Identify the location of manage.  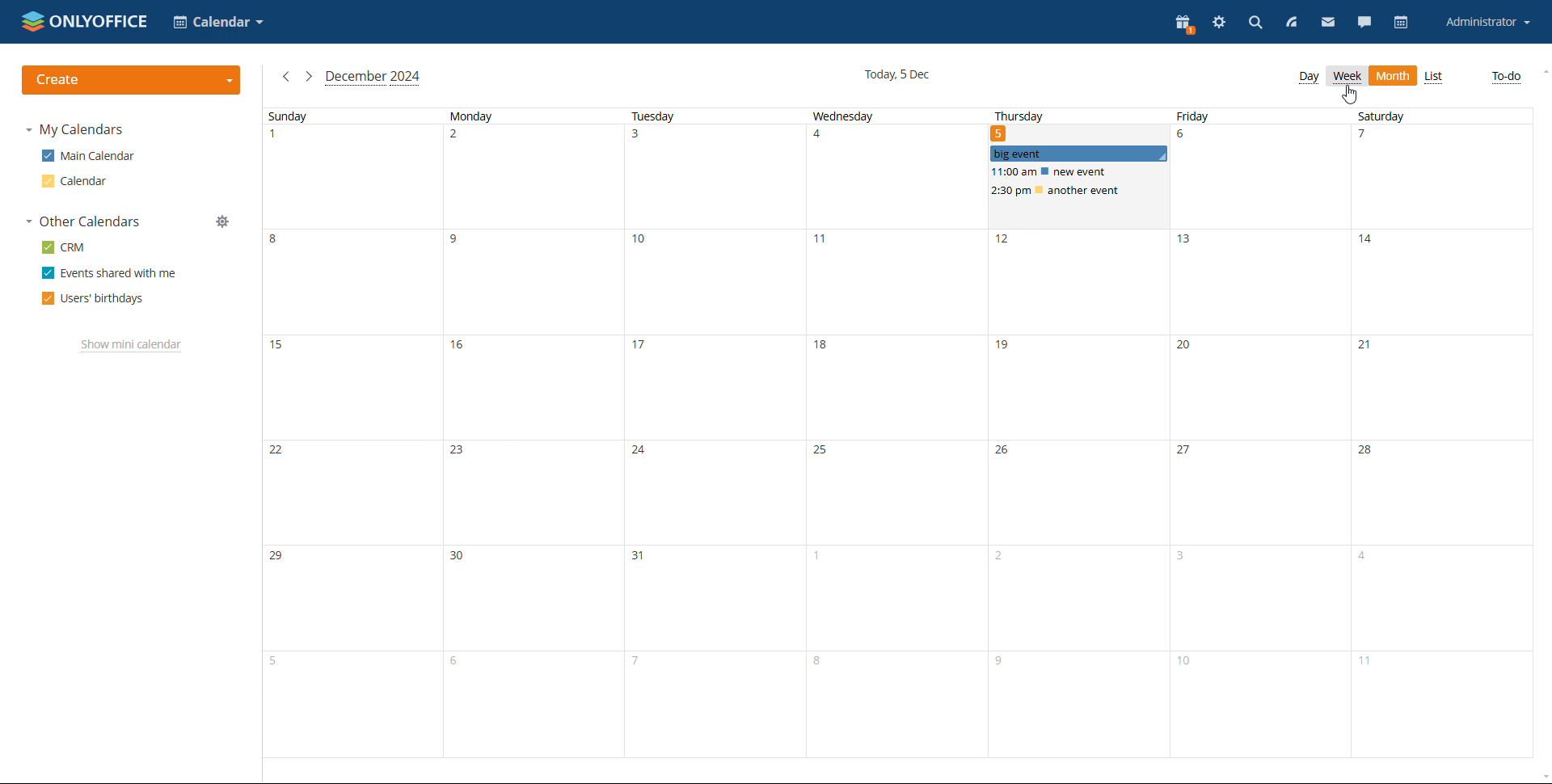
(224, 222).